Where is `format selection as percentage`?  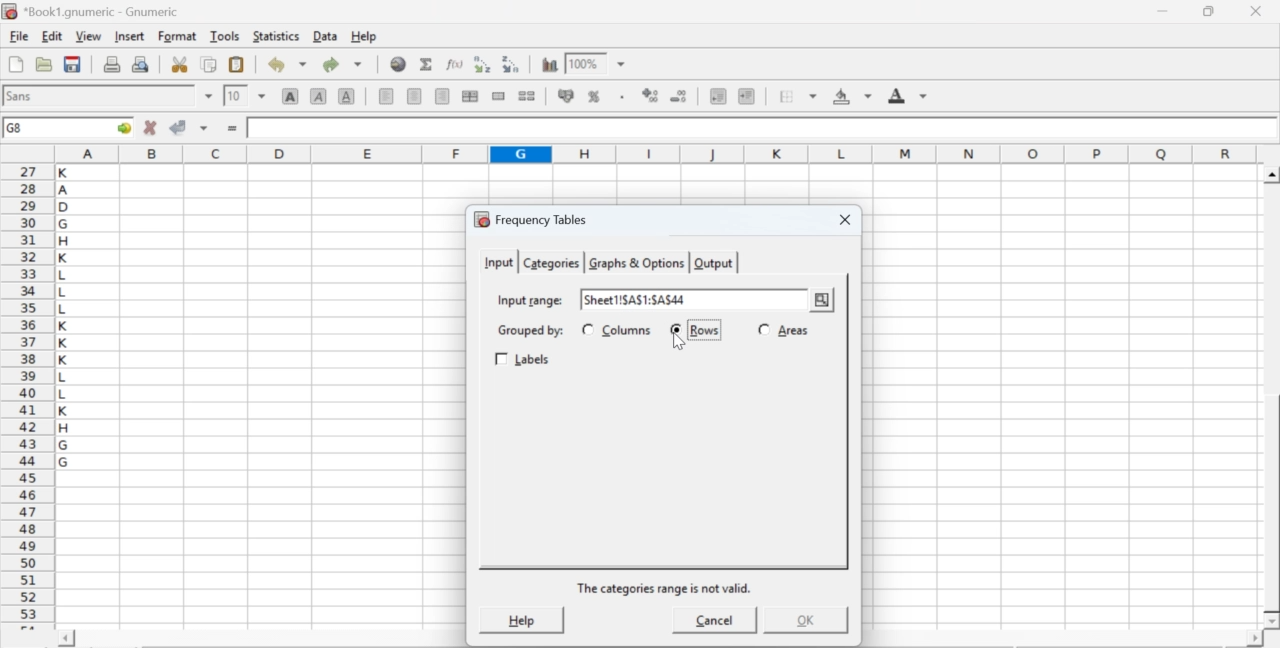 format selection as percentage is located at coordinates (592, 96).